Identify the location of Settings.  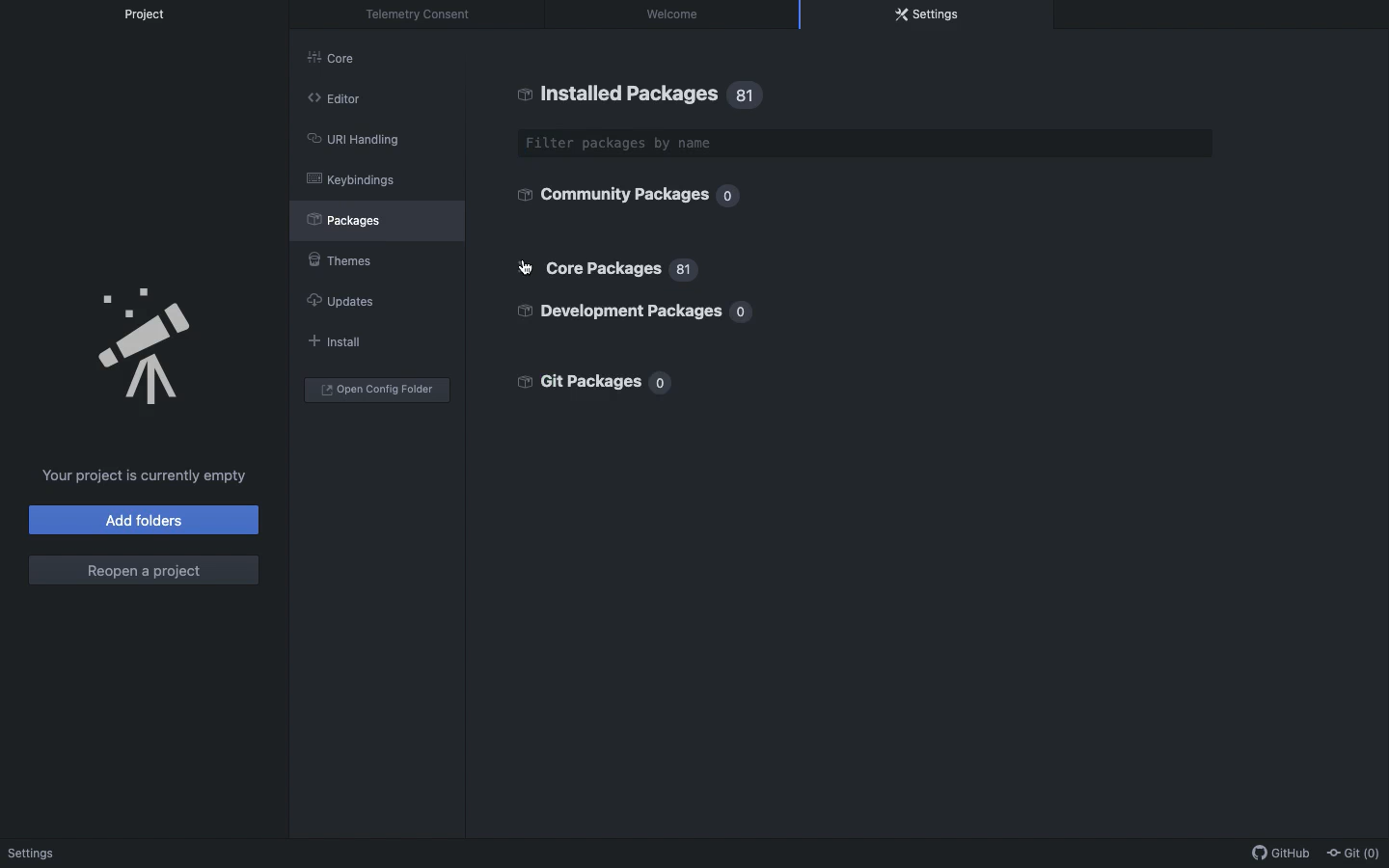
(928, 14).